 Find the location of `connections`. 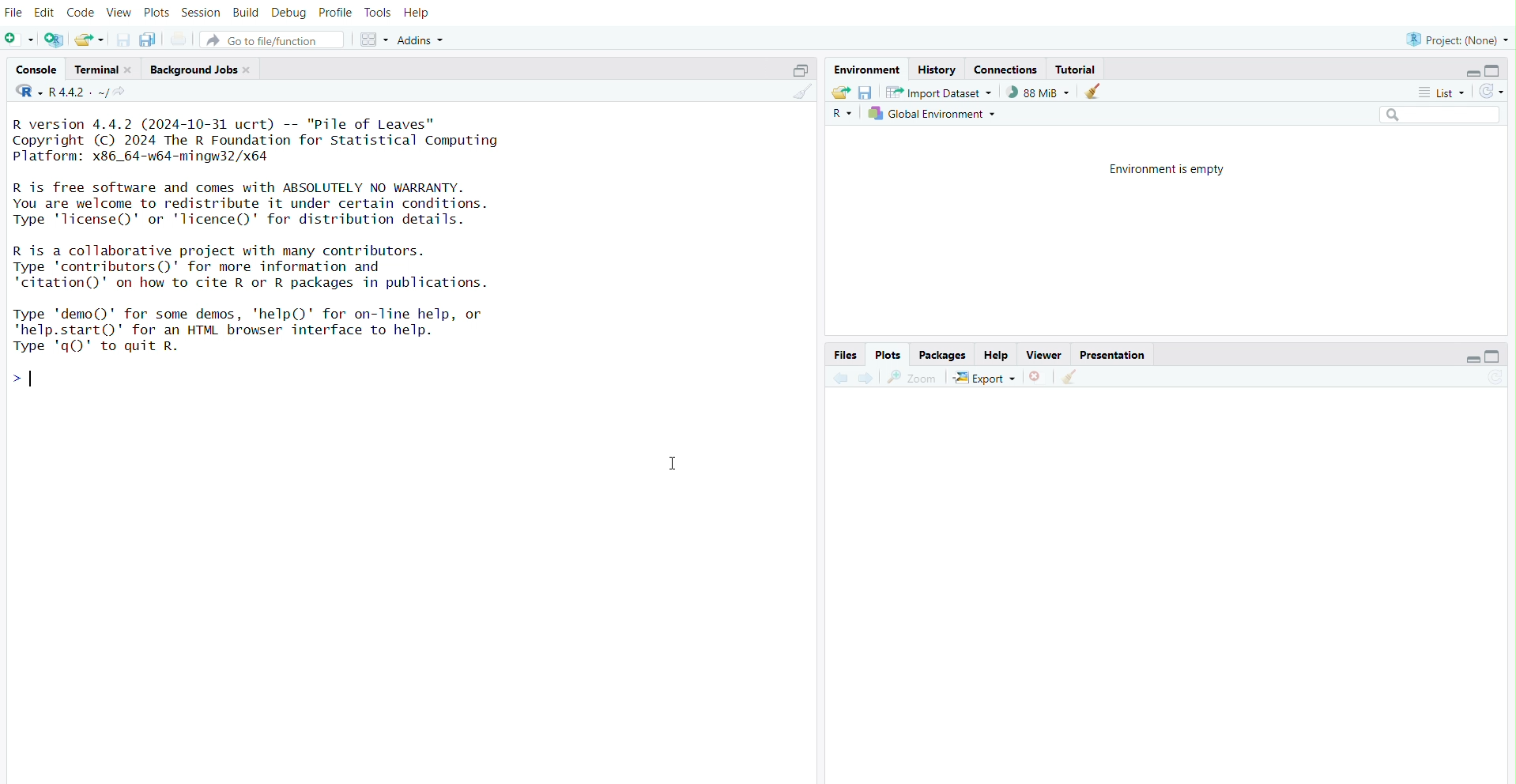

connections is located at coordinates (1006, 68).